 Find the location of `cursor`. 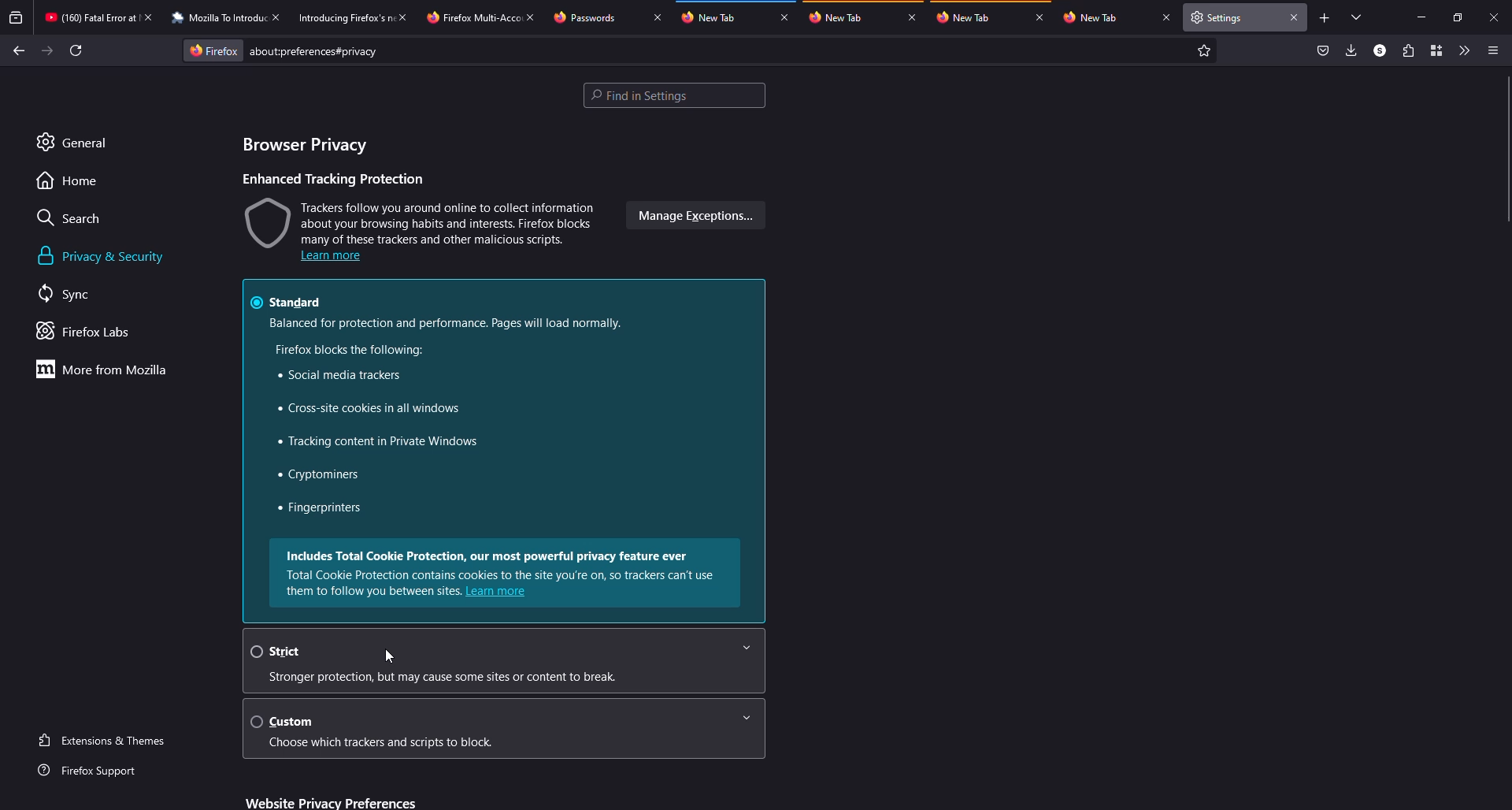

cursor is located at coordinates (389, 656).